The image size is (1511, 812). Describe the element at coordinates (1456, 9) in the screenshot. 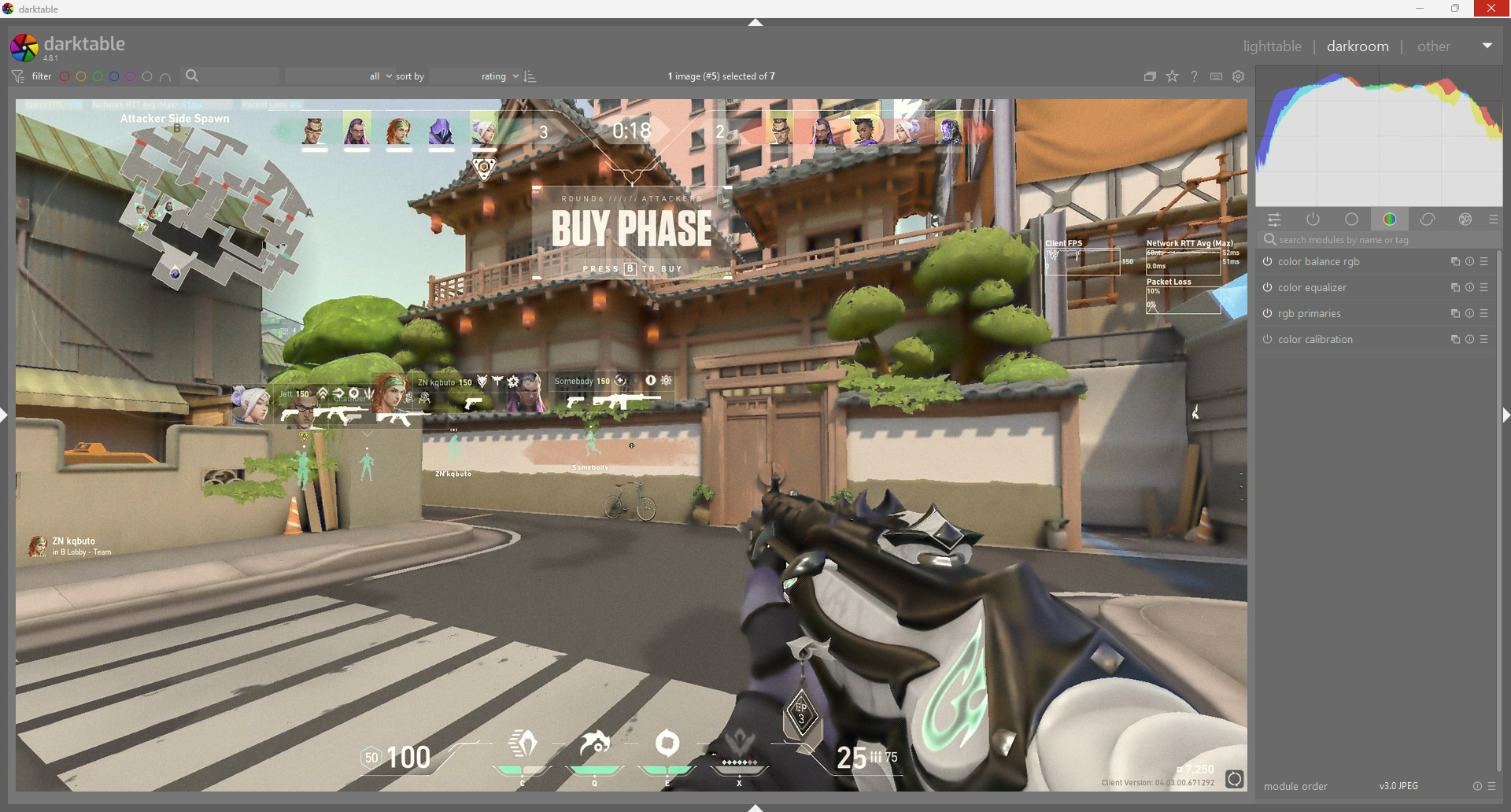

I see `resize` at that location.